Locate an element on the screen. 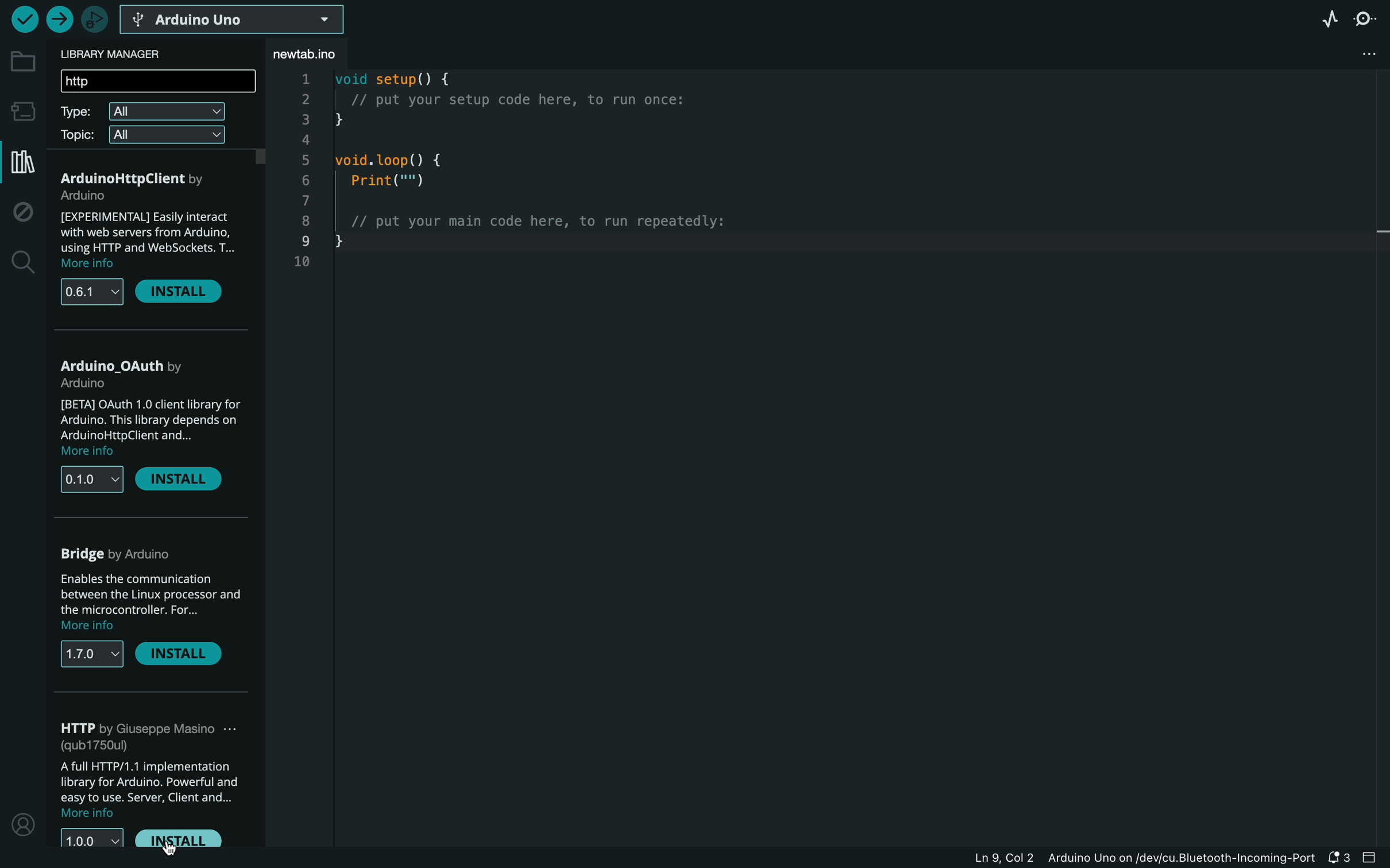 This screenshot has height=868, width=1390. close slide bar is located at coordinates (1371, 859).